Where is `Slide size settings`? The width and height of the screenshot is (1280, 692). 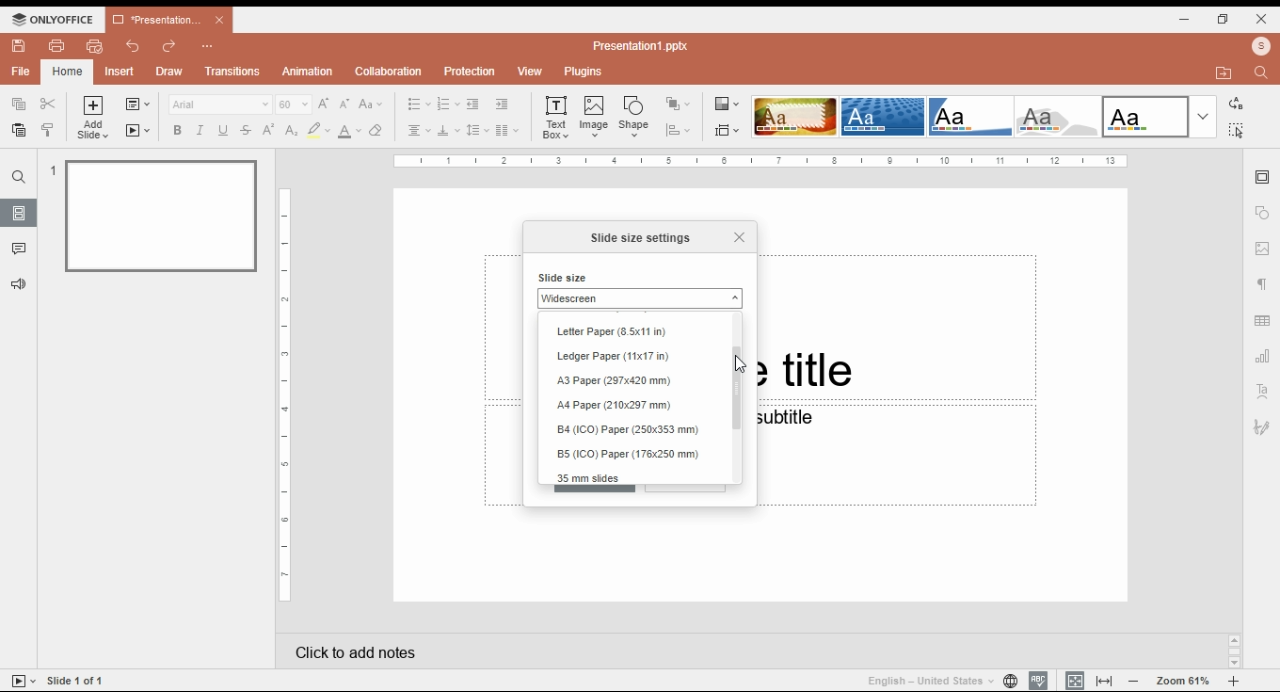 Slide size settings is located at coordinates (642, 238).